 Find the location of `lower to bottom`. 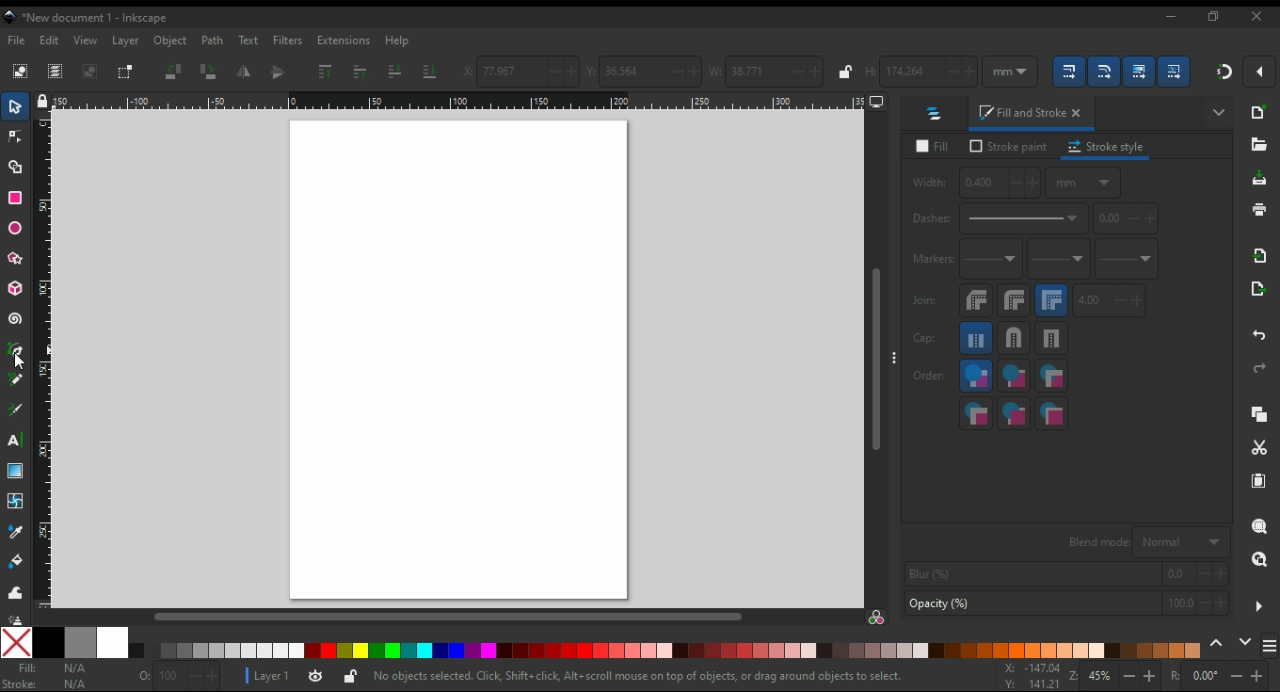

lower to bottom is located at coordinates (432, 72).